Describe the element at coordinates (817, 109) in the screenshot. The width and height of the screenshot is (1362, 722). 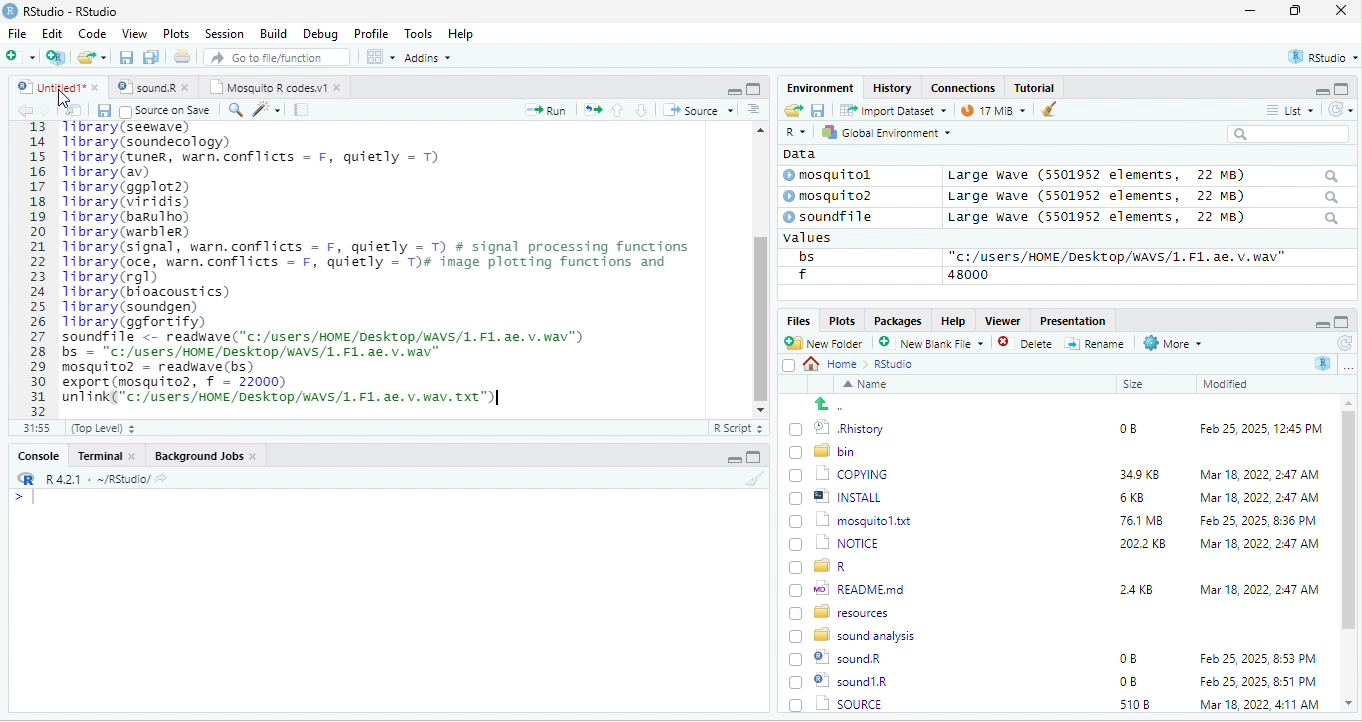
I see `save` at that location.